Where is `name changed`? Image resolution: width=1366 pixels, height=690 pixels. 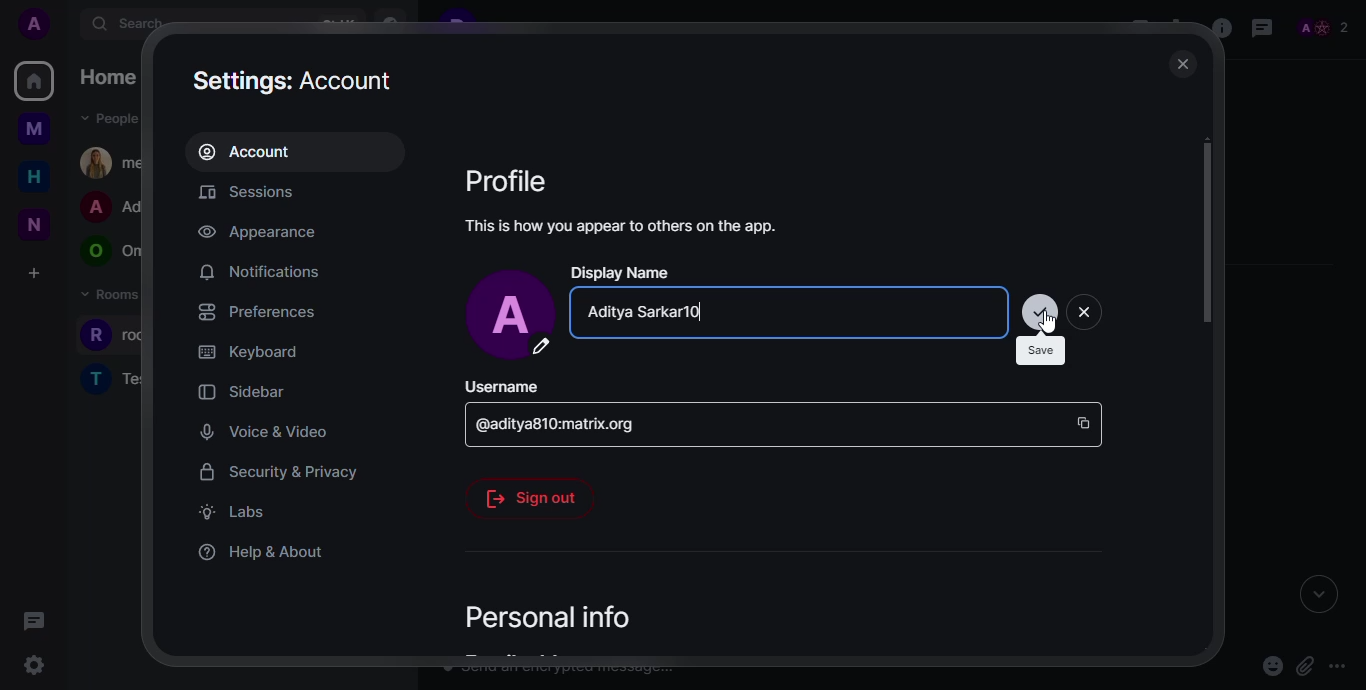
name changed is located at coordinates (651, 313).